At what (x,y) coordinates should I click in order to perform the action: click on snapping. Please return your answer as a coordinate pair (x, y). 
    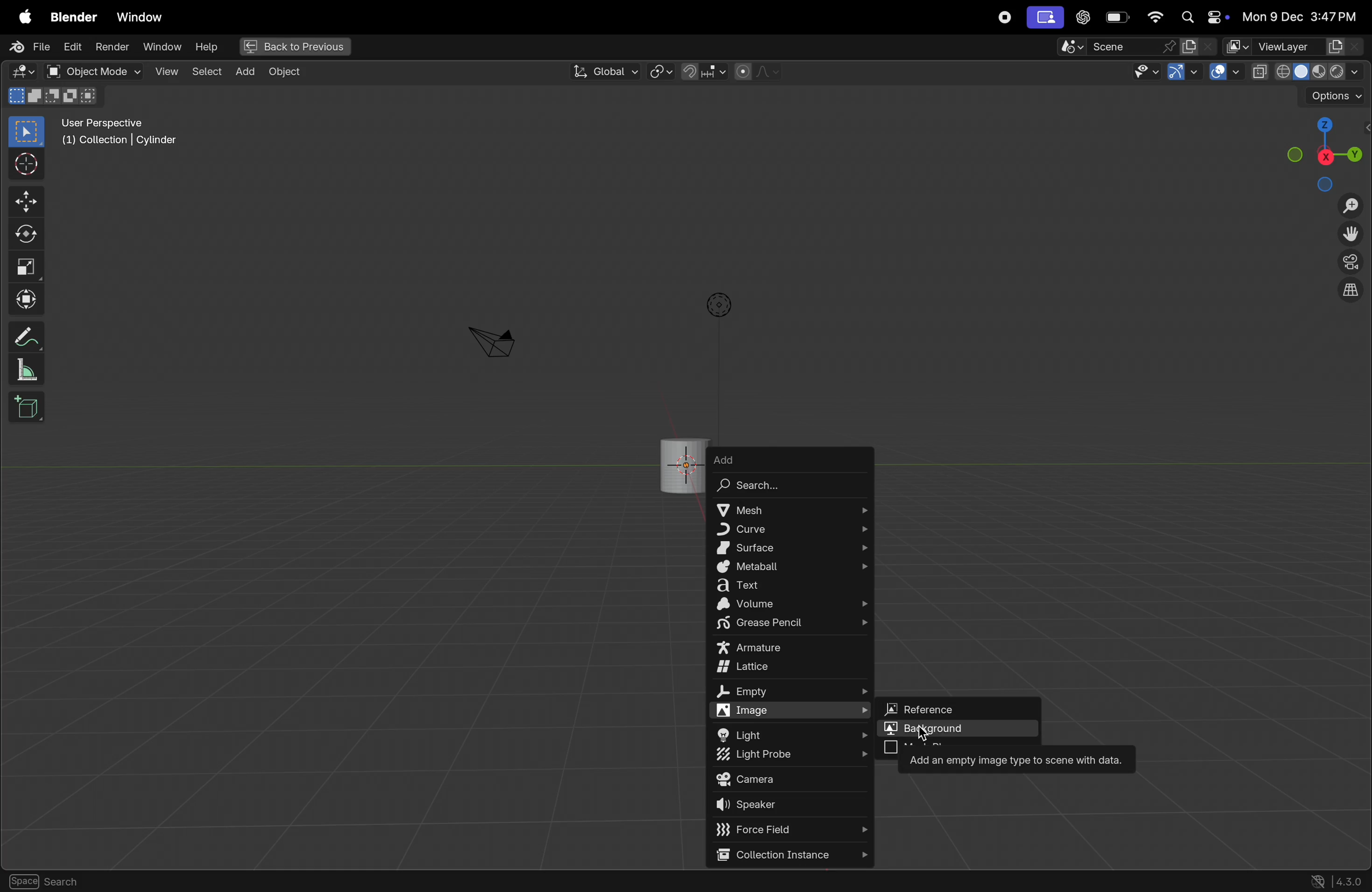
    Looking at the image, I should click on (703, 71).